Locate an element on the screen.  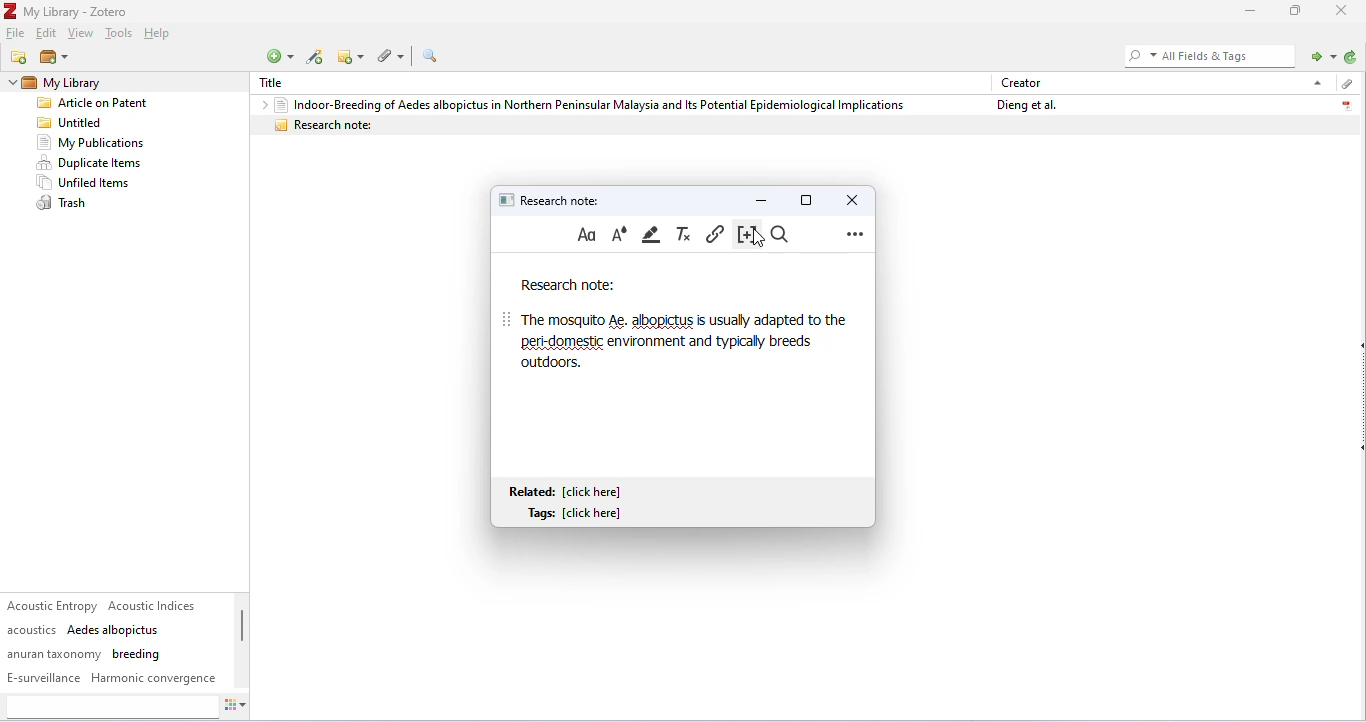
attachment is located at coordinates (1345, 84).